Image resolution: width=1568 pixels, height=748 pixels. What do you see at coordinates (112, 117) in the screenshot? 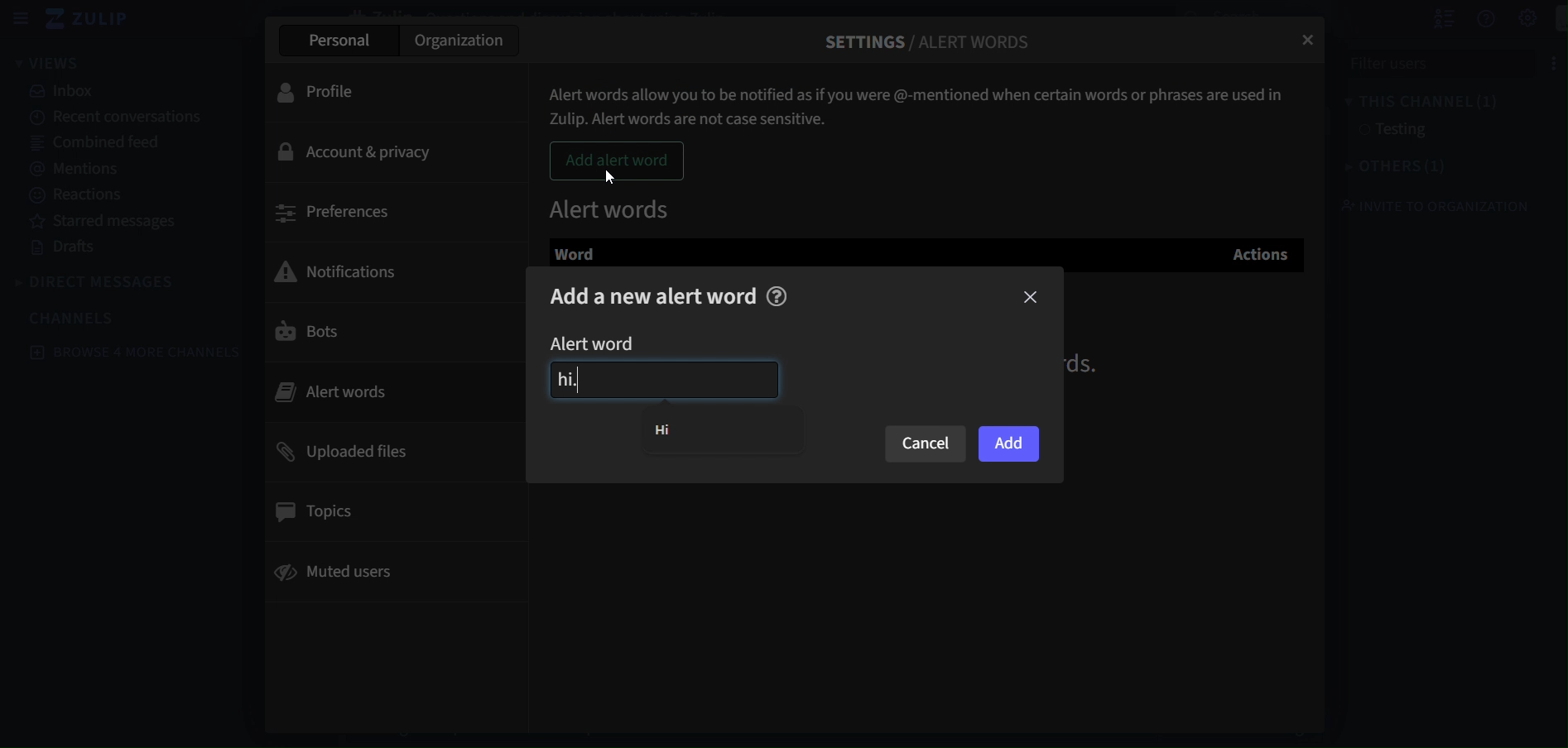
I see `recent conversations` at bounding box center [112, 117].